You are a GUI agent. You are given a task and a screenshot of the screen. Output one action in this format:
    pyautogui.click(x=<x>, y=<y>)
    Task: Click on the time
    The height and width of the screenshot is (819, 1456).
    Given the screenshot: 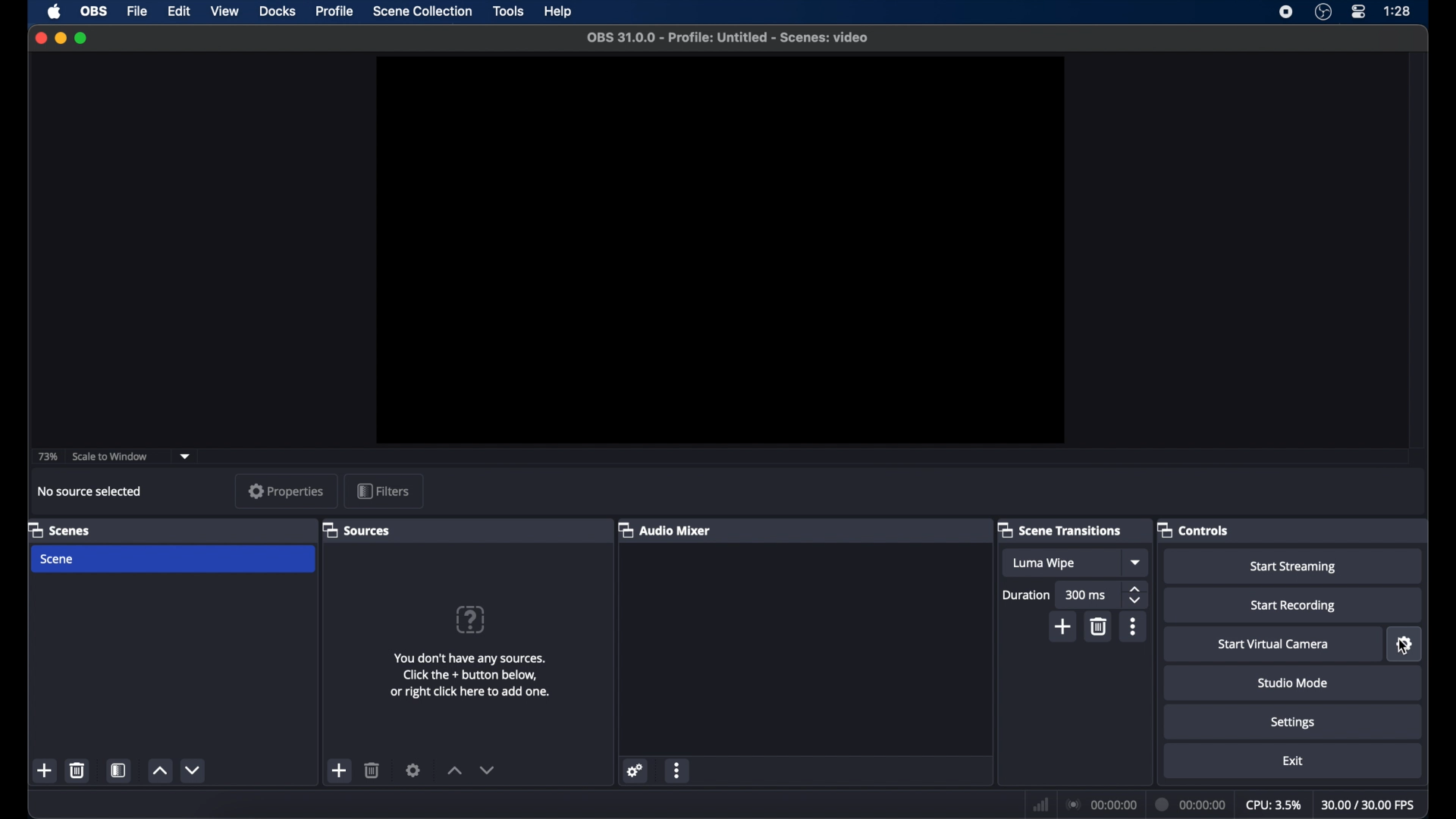 What is the action you would take?
    pyautogui.click(x=1397, y=11)
    